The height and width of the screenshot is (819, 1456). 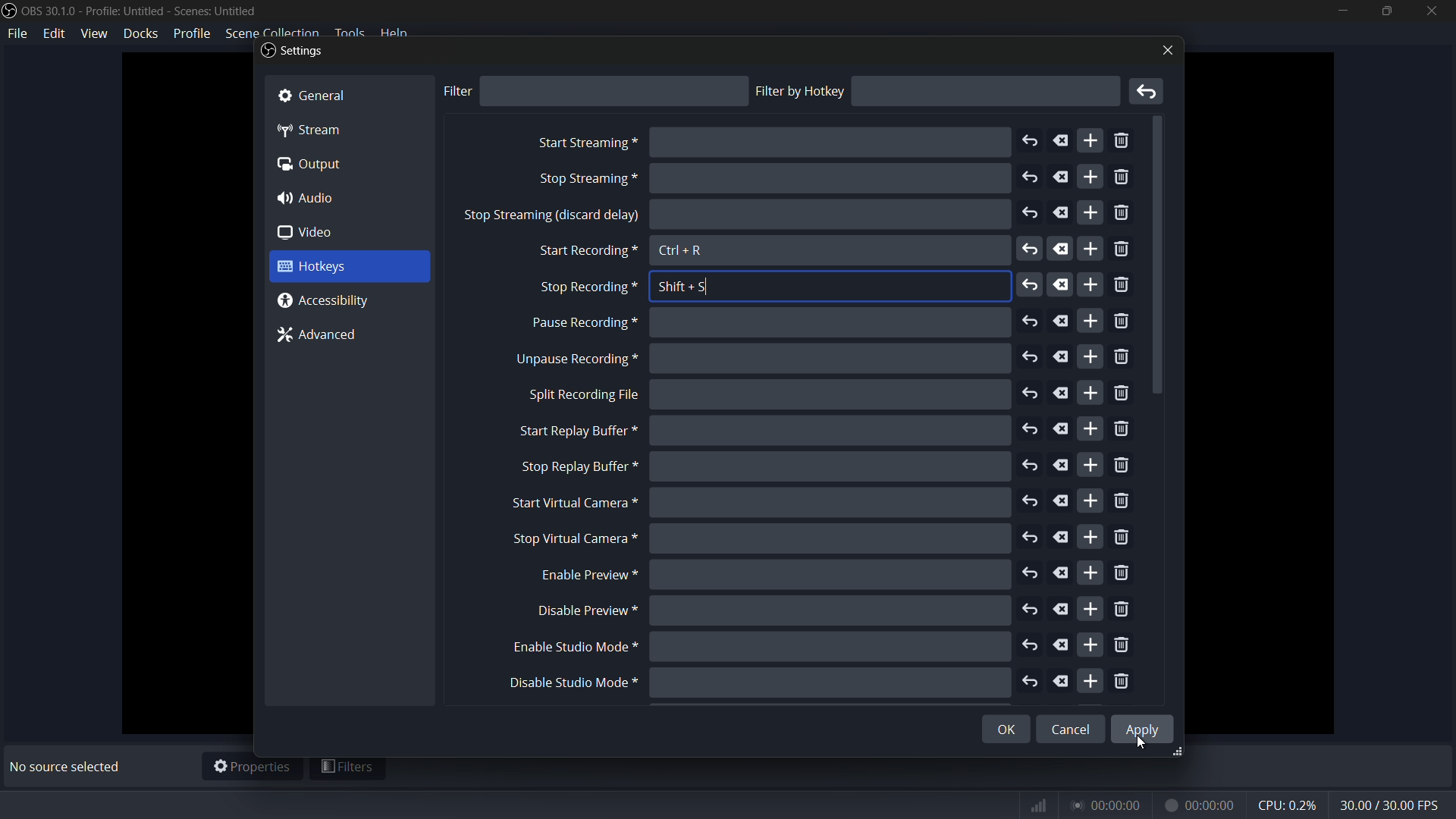 What do you see at coordinates (1030, 214) in the screenshot?
I see `undo` at bounding box center [1030, 214].